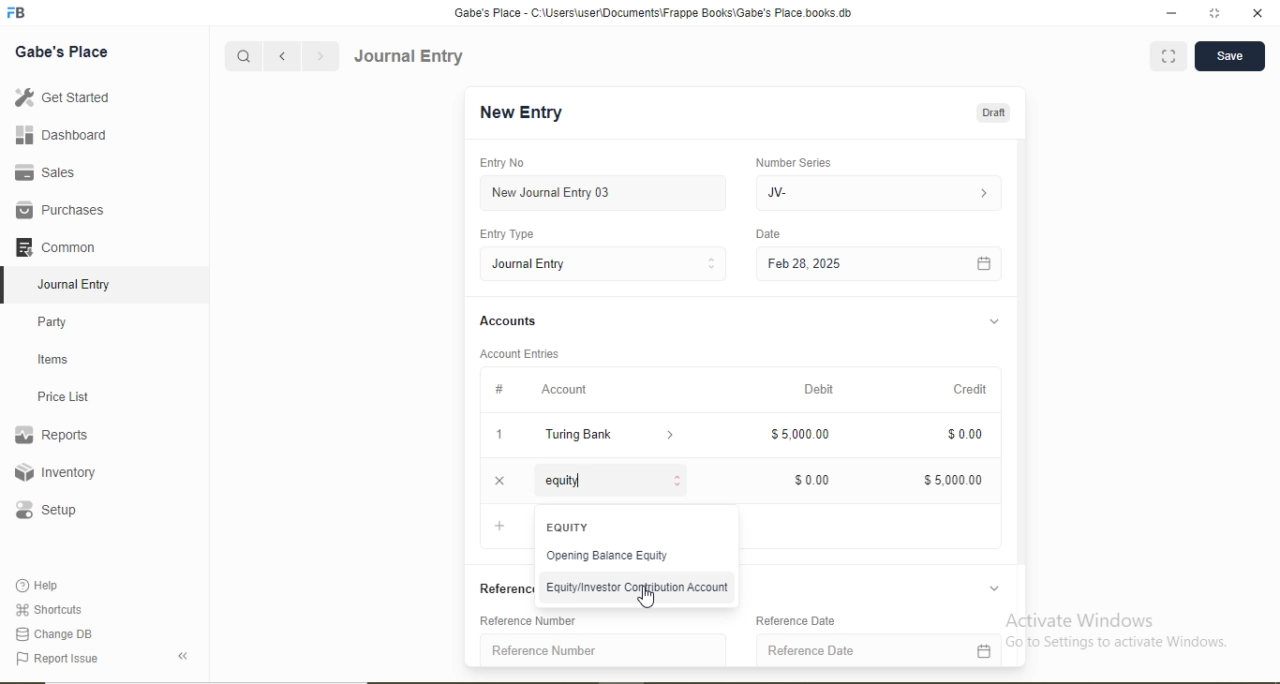 Image resolution: width=1280 pixels, height=684 pixels. Describe the element at coordinates (500, 388) in the screenshot. I see `#` at that location.